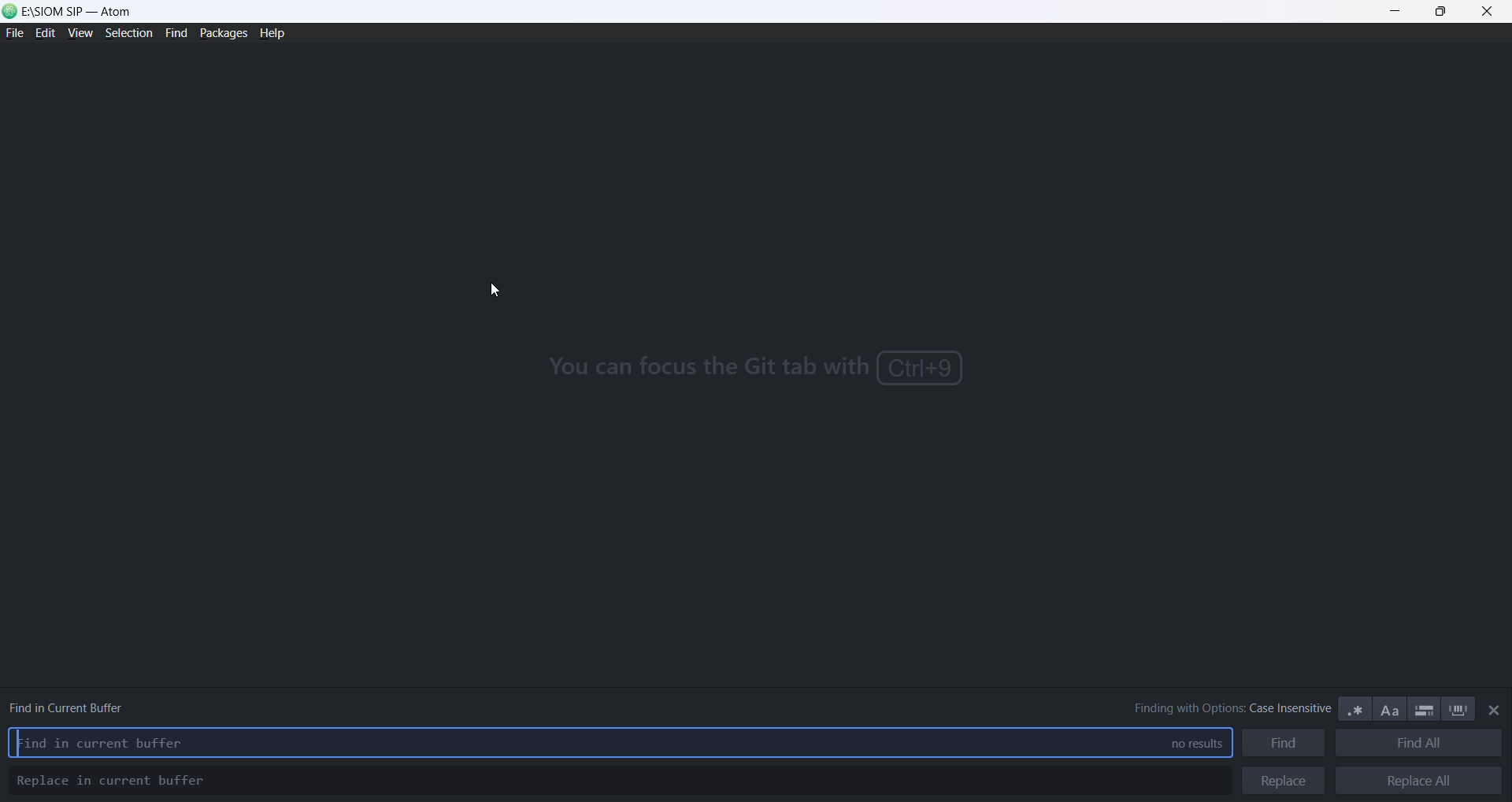 The width and height of the screenshot is (1512, 802). I want to click on minimize, so click(1398, 13).